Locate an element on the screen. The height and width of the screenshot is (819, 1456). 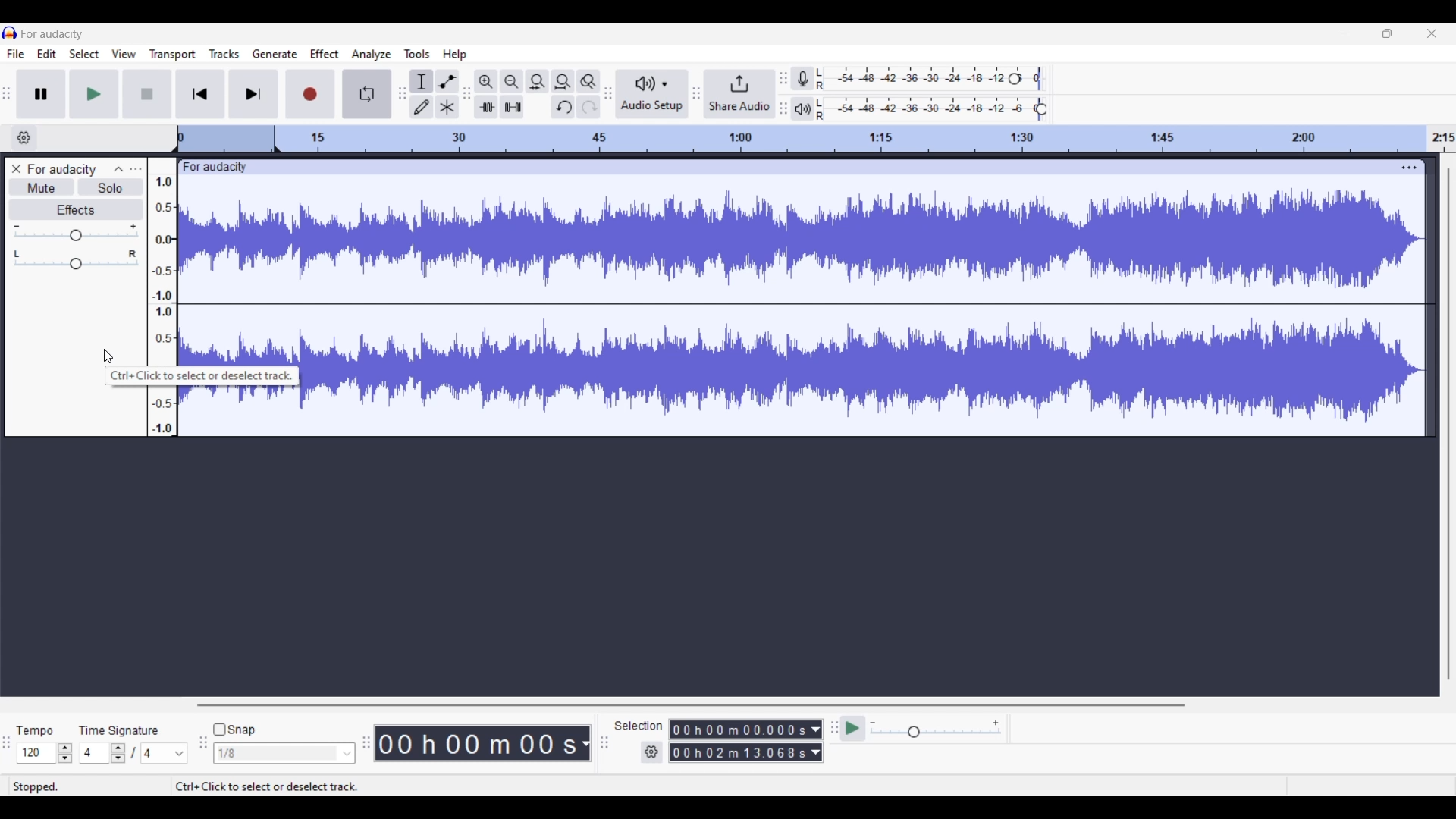
Skip/Select to end is located at coordinates (254, 94).